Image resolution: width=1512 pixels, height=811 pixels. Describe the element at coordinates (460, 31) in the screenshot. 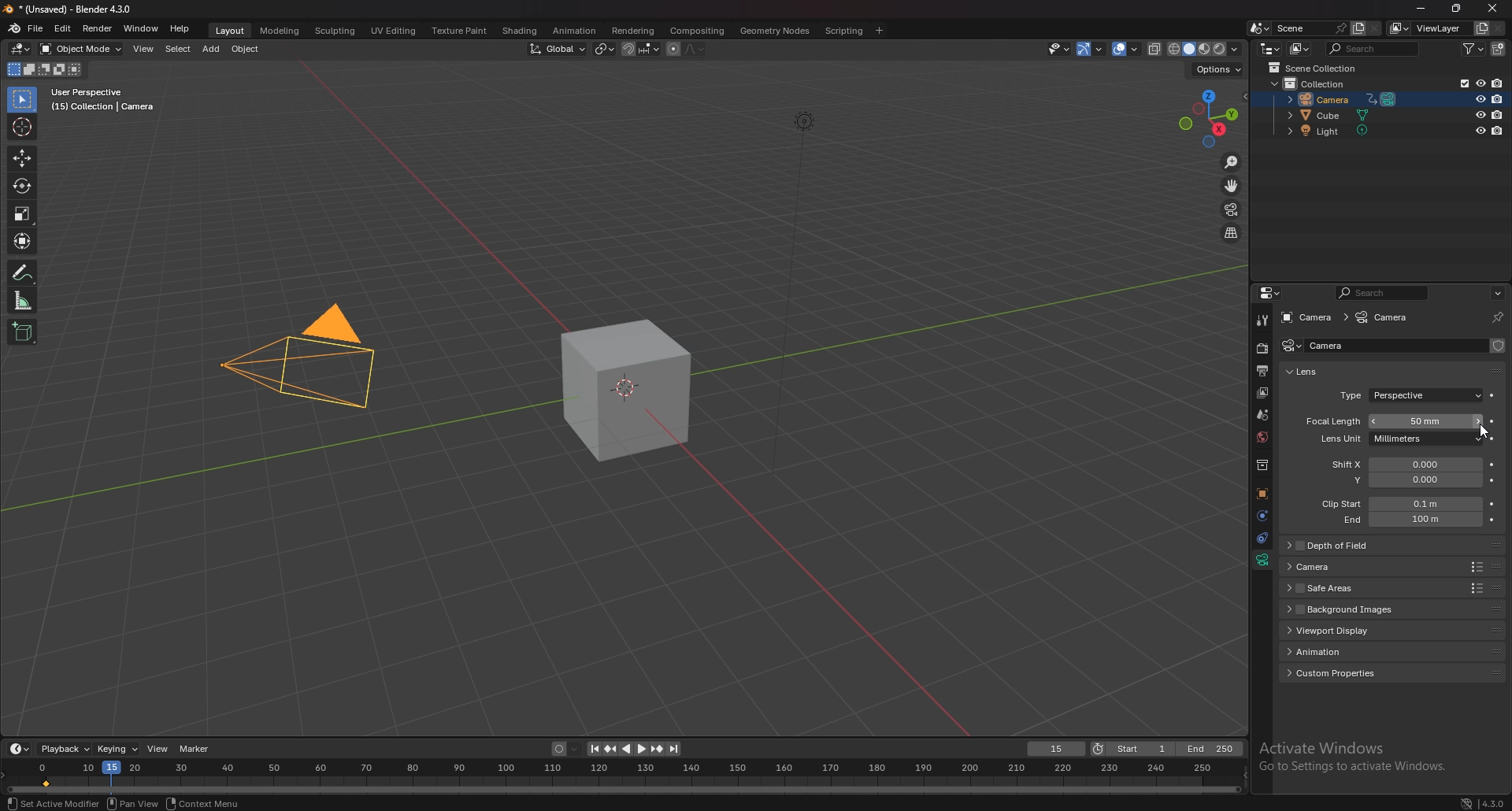

I see `texture paint` at that location.